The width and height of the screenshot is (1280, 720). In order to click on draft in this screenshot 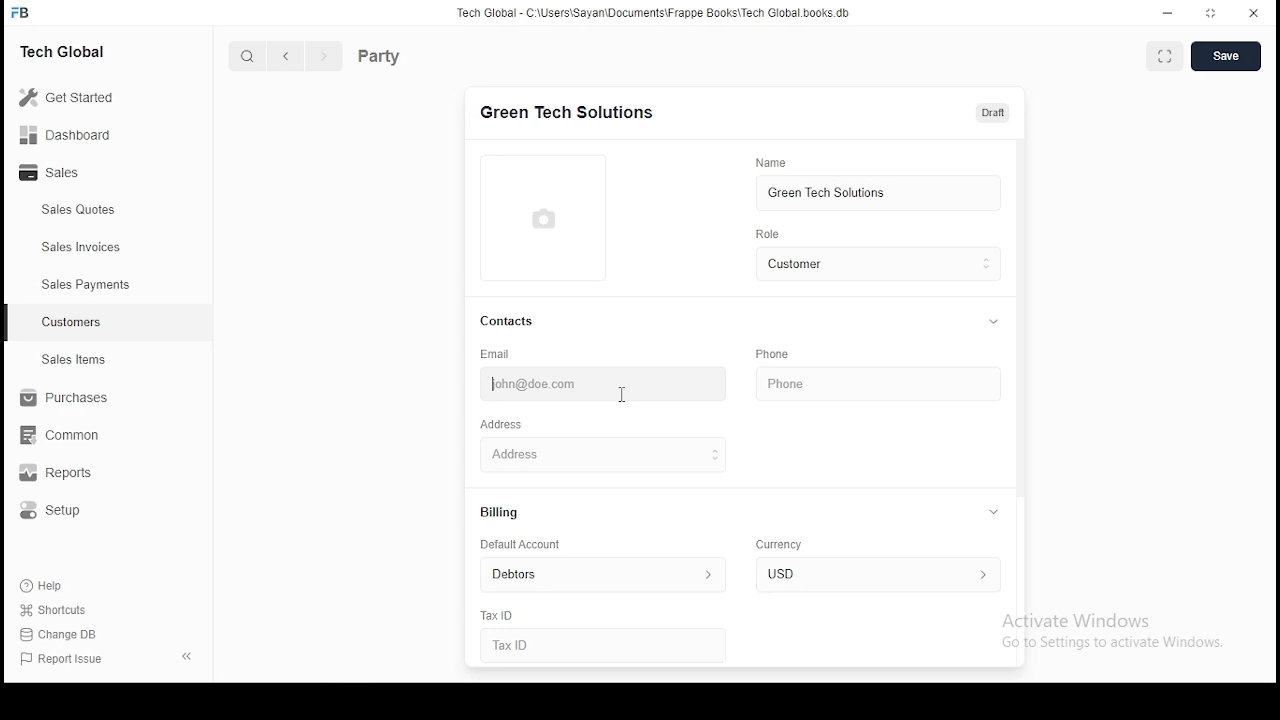, I will do `click(994, 113)`.